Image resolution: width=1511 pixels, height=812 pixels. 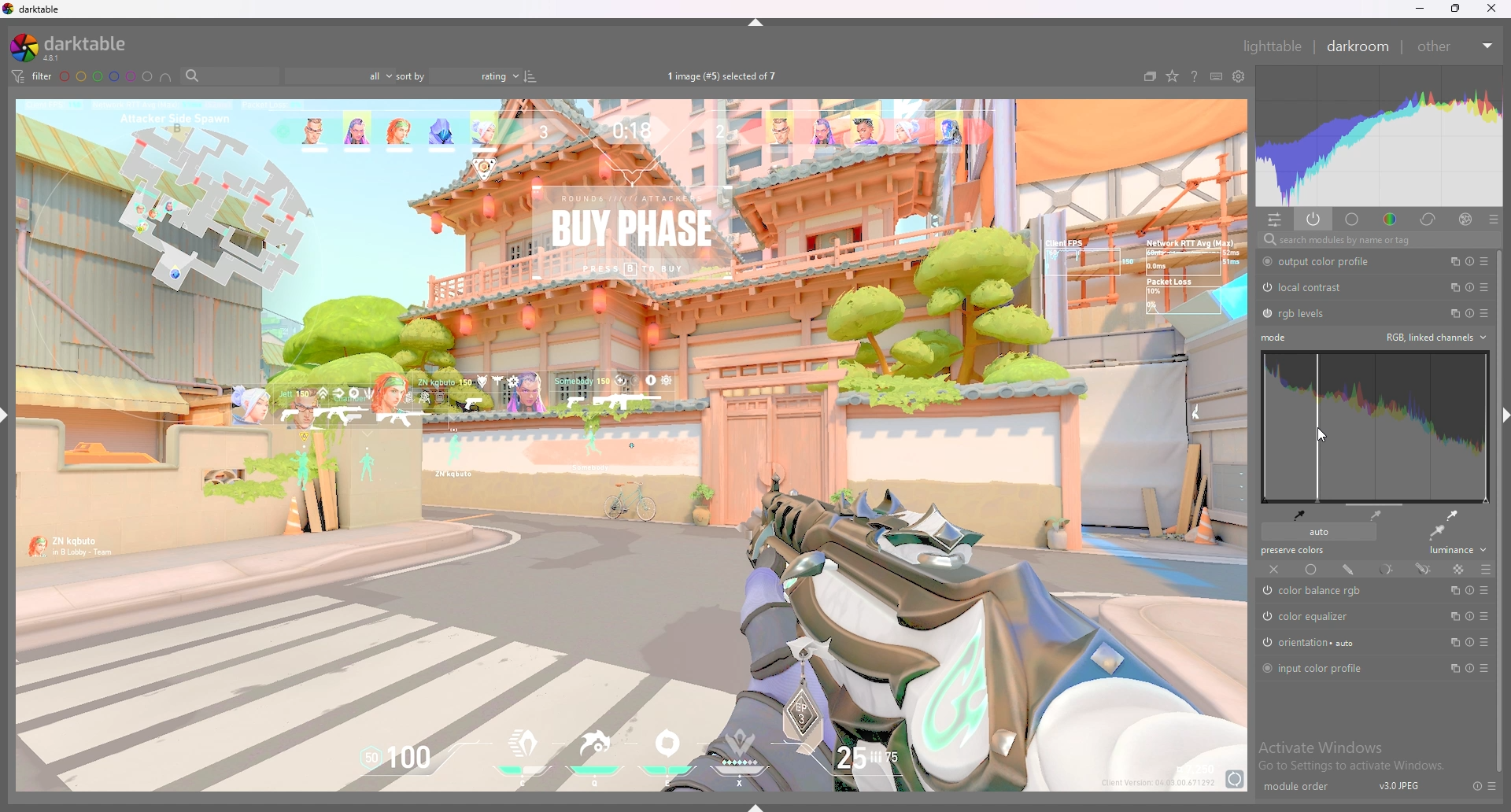 I want to click on multiple instances action, so click(x=1450, y=286).